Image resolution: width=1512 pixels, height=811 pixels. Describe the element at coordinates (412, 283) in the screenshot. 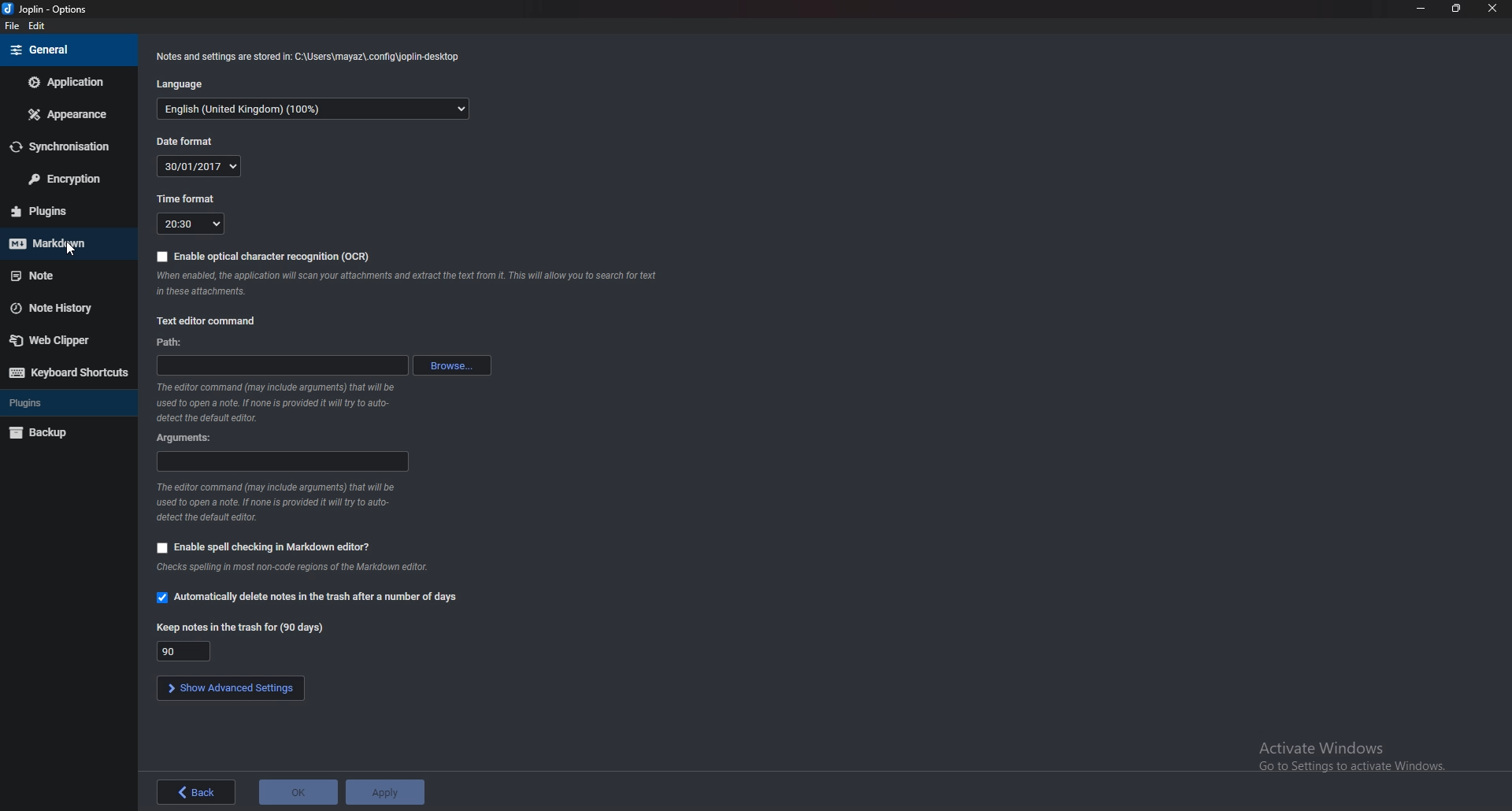

I see `Info` at that location.